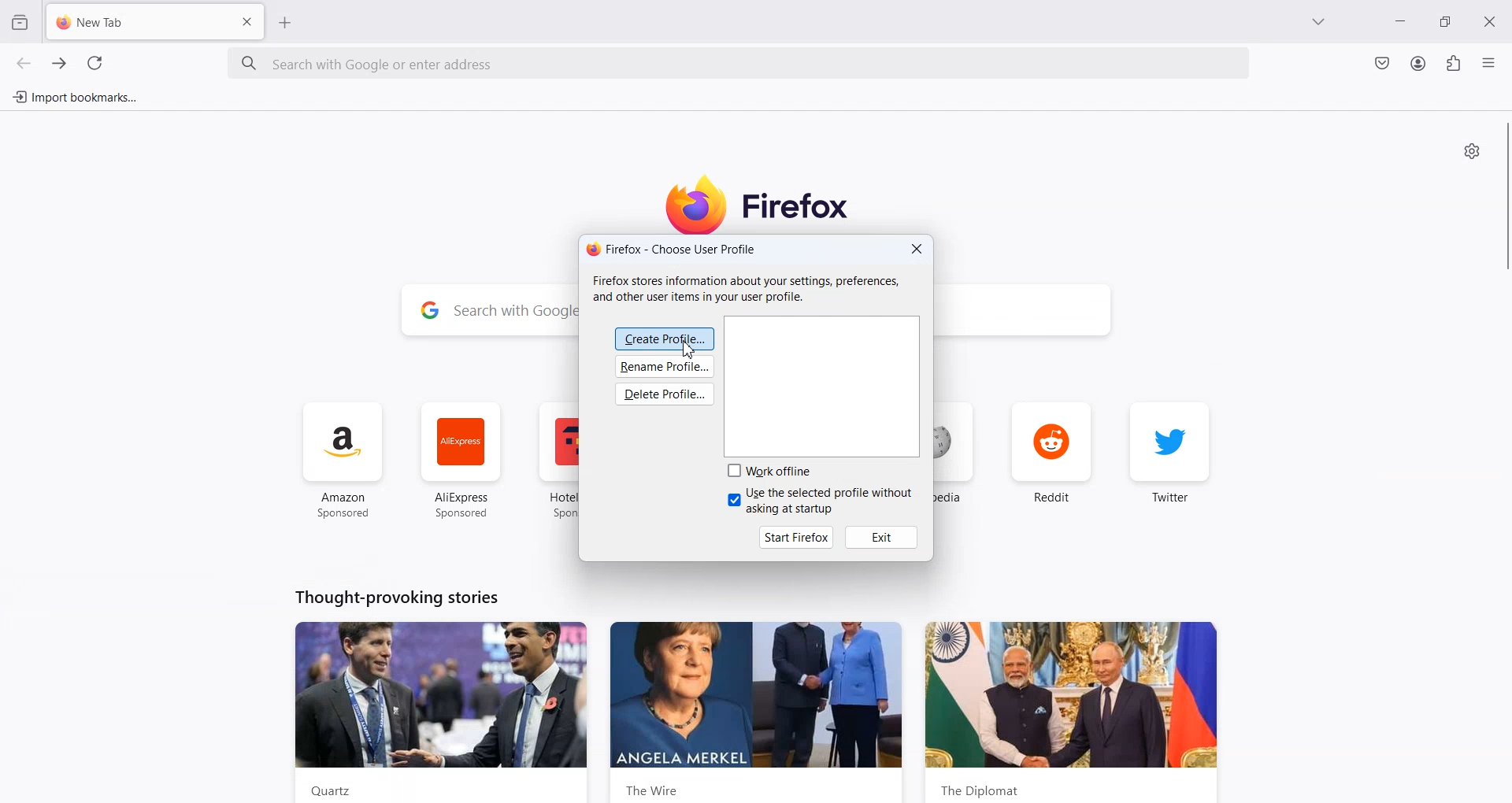 The image size is (1512, 803). What do you see at coordinates (428, 312) in the screenshot?
I see `google logo` at bounding box center [428, 312].